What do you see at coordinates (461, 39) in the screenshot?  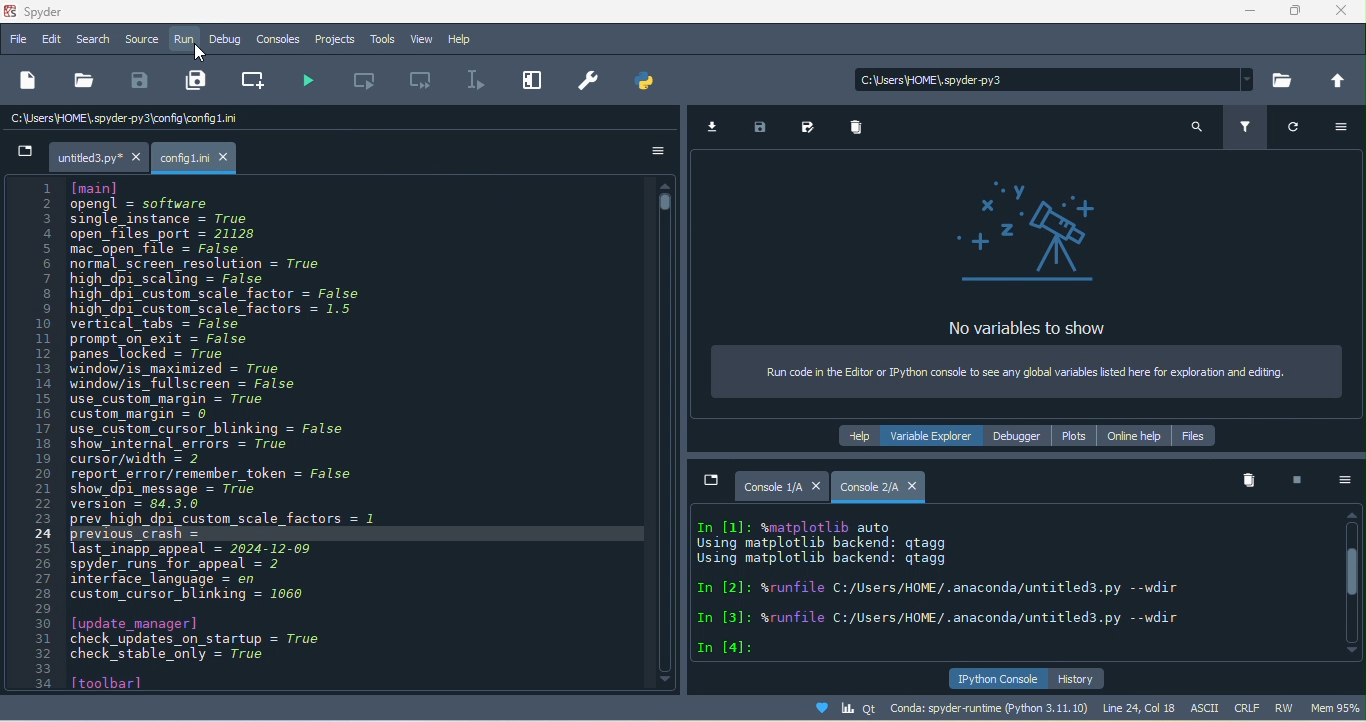 I see `help` at bounding box center [461, 39].